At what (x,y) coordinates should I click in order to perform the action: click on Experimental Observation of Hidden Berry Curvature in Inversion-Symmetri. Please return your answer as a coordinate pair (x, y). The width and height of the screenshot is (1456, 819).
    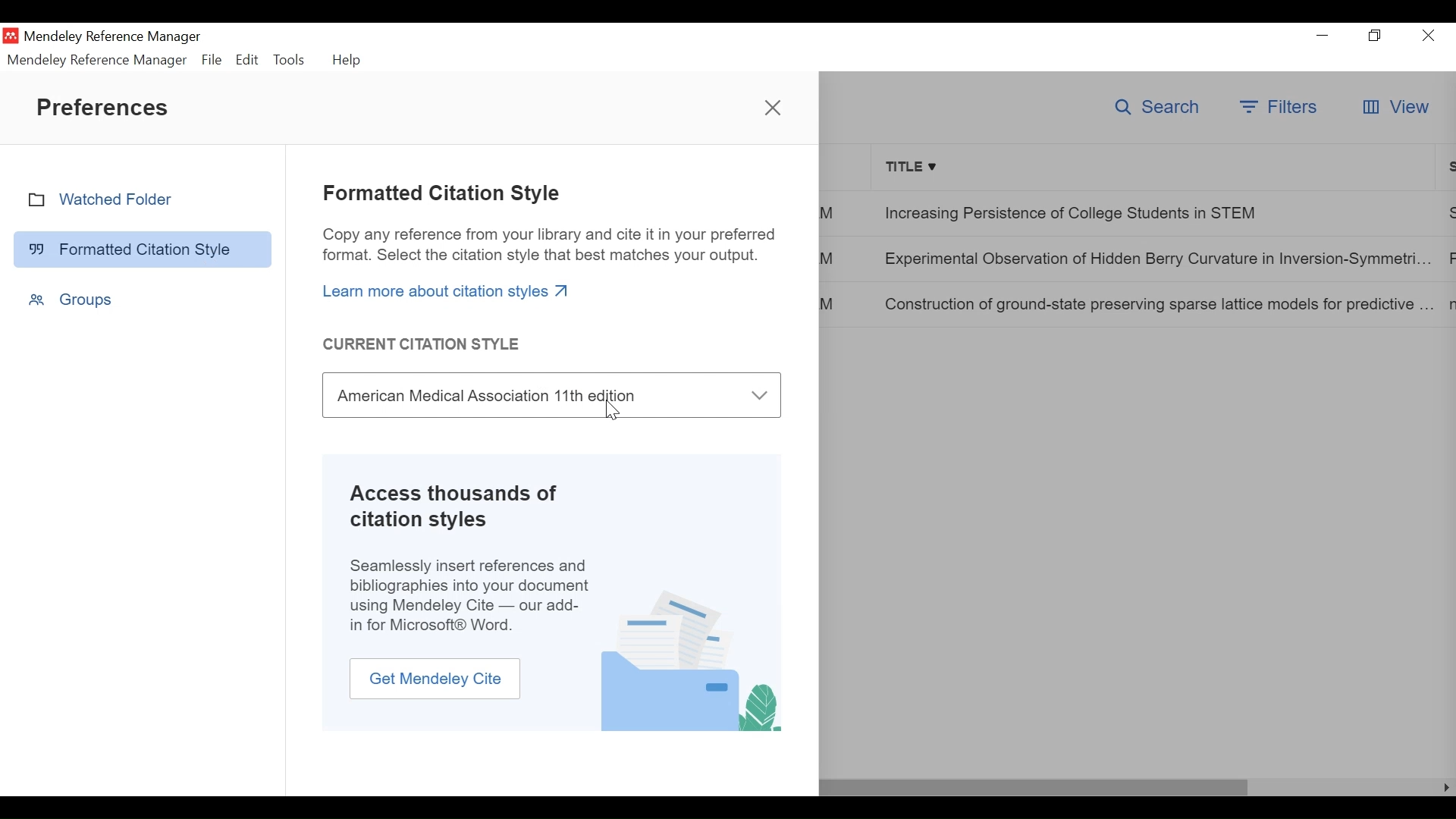
    Looking at the image, I should click on (1155, 260).